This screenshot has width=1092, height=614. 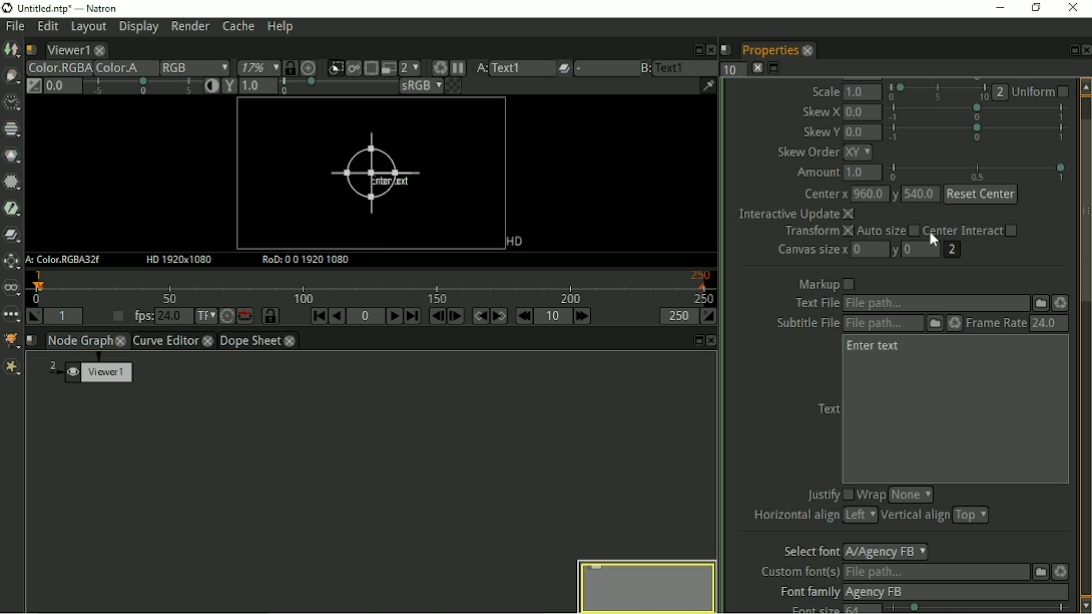 What do you see at coordinates (972, 229) in the screenshot?
I see `Center Interact` at bounding box center [972, 229].